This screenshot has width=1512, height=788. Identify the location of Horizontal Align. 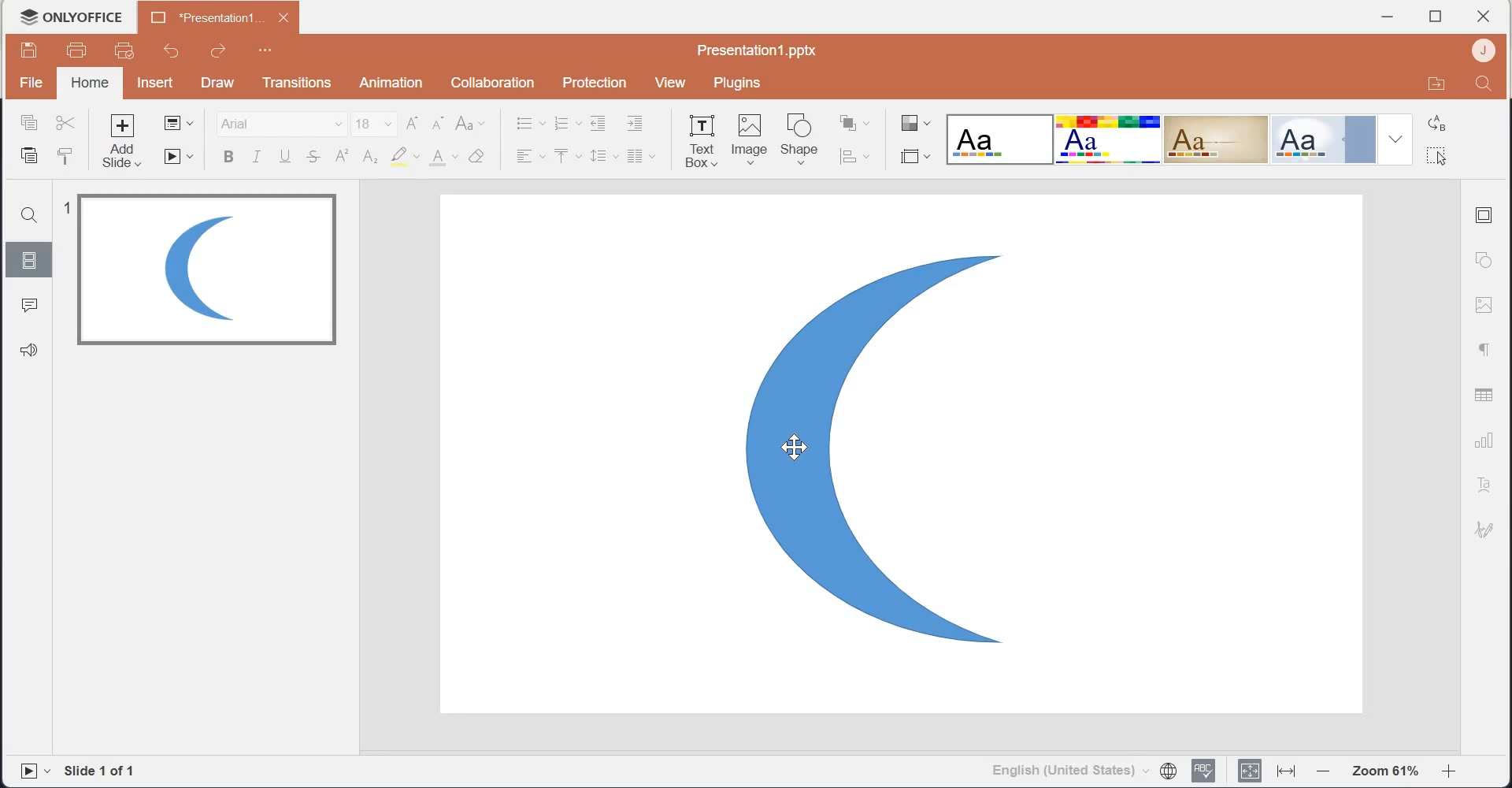
(530, 155).